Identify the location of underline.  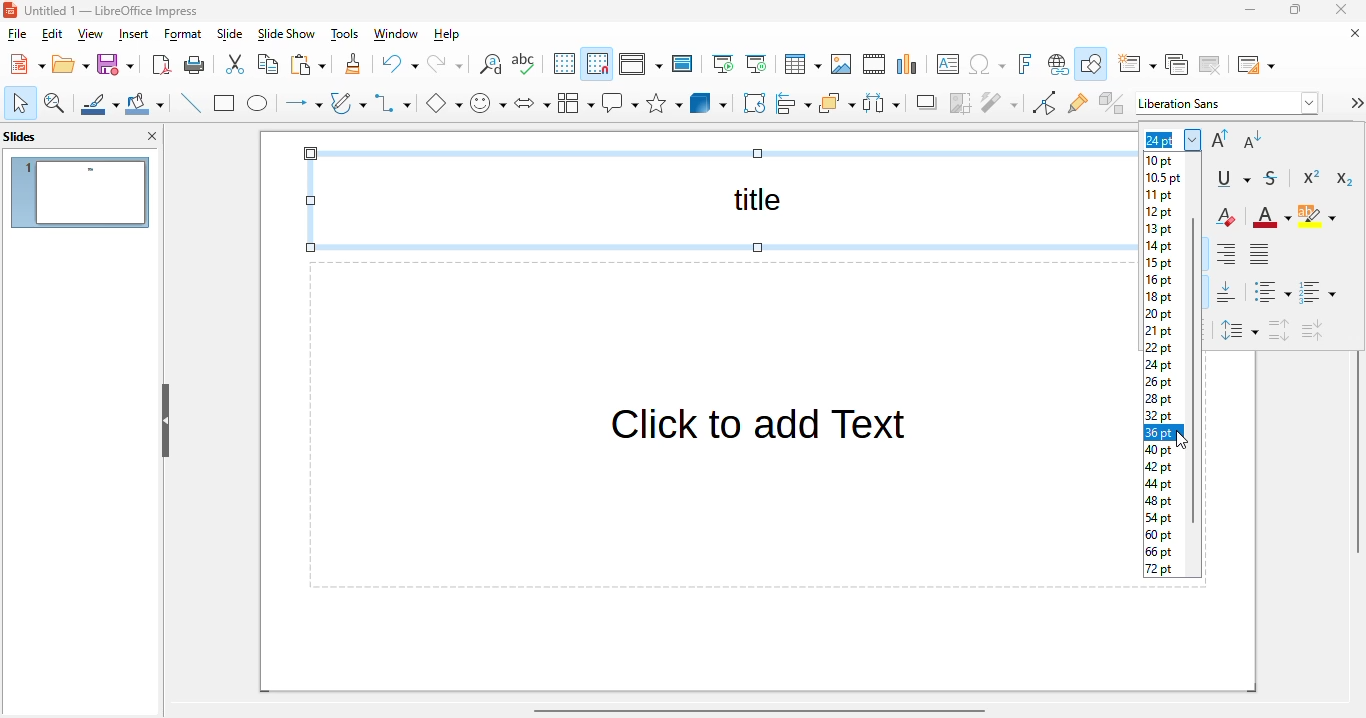
(1232, 179).